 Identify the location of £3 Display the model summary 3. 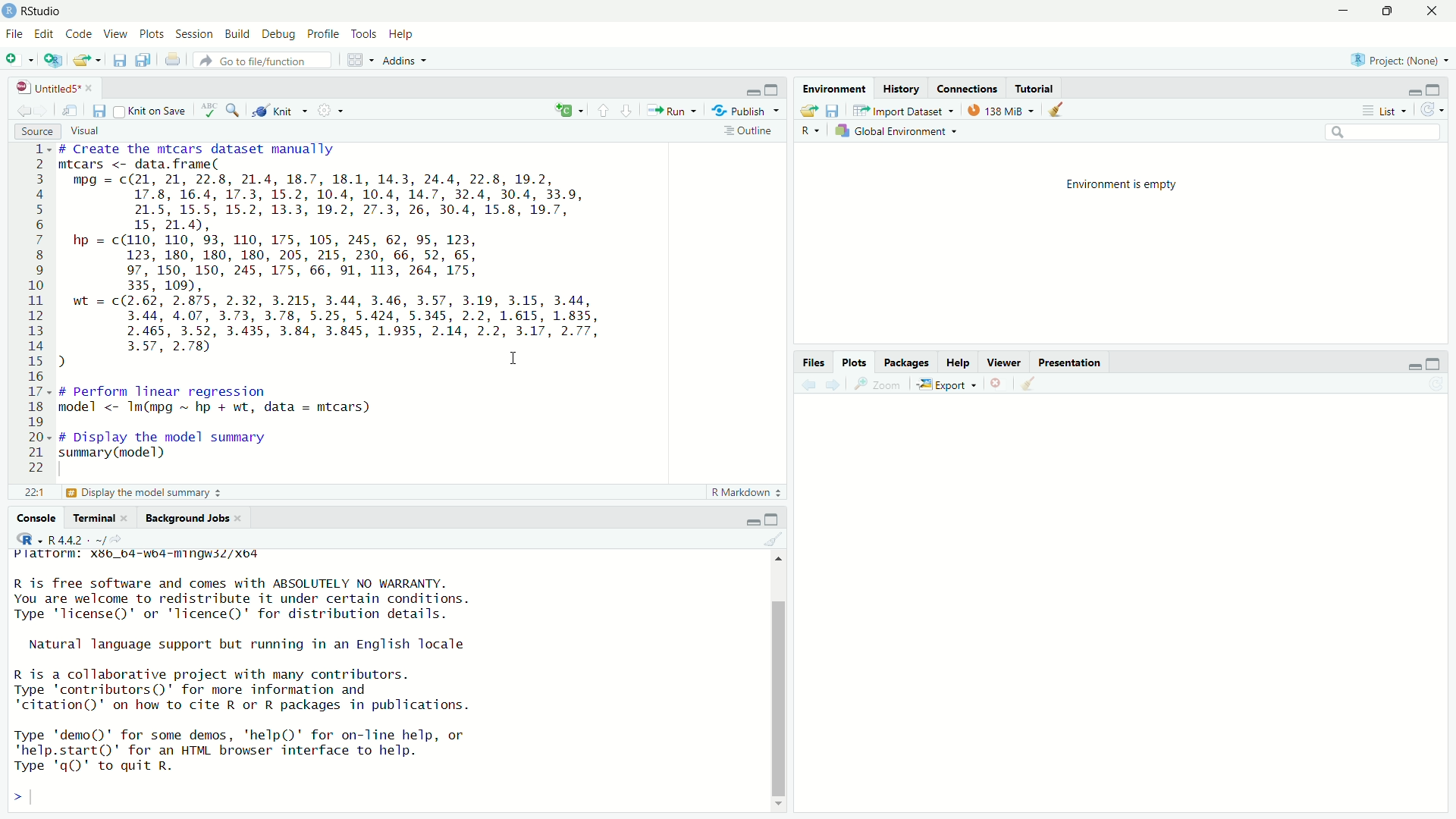
(142, 494).